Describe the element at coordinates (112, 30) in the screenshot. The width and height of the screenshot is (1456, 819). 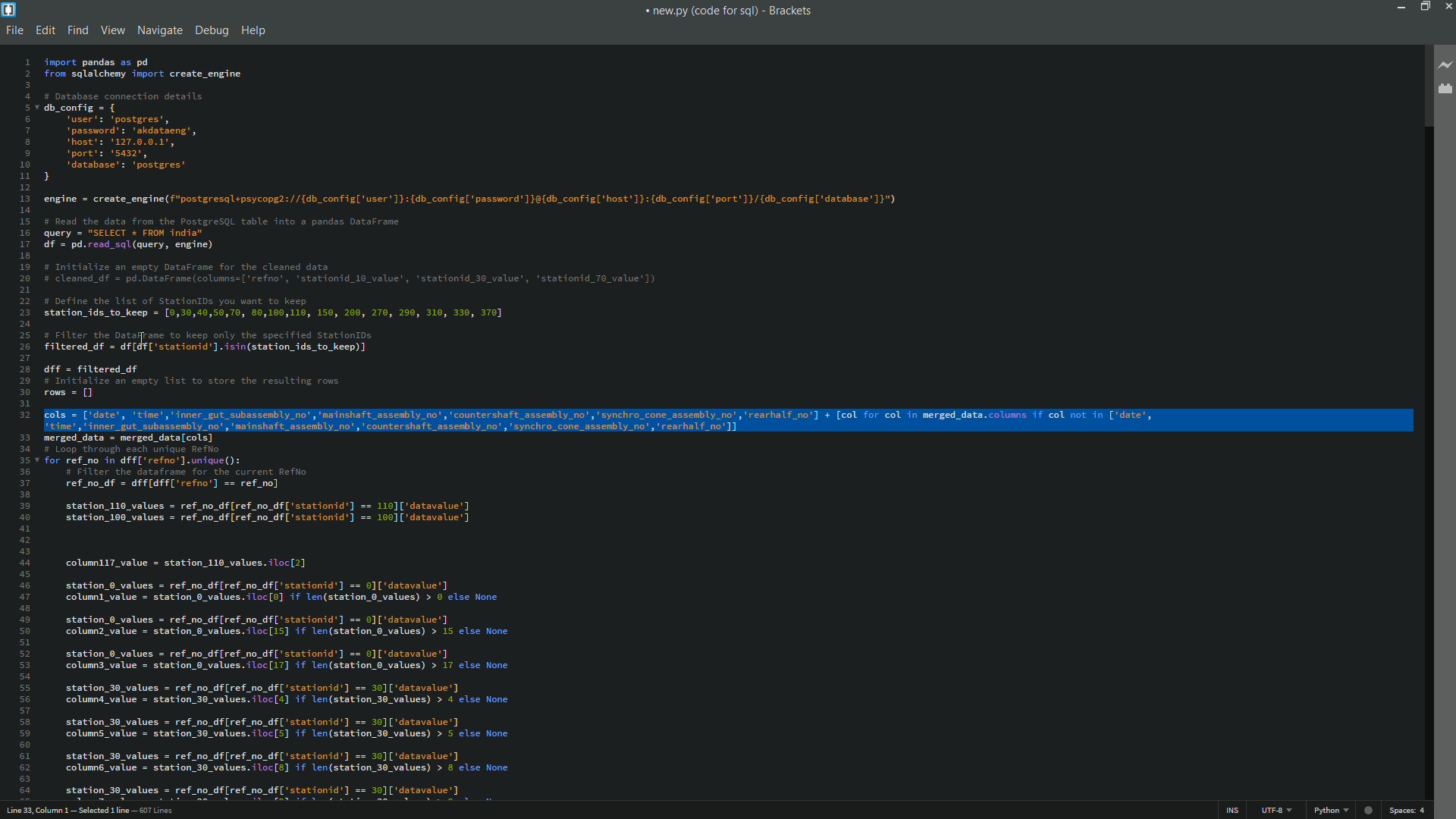
I see `view menu` at that location.